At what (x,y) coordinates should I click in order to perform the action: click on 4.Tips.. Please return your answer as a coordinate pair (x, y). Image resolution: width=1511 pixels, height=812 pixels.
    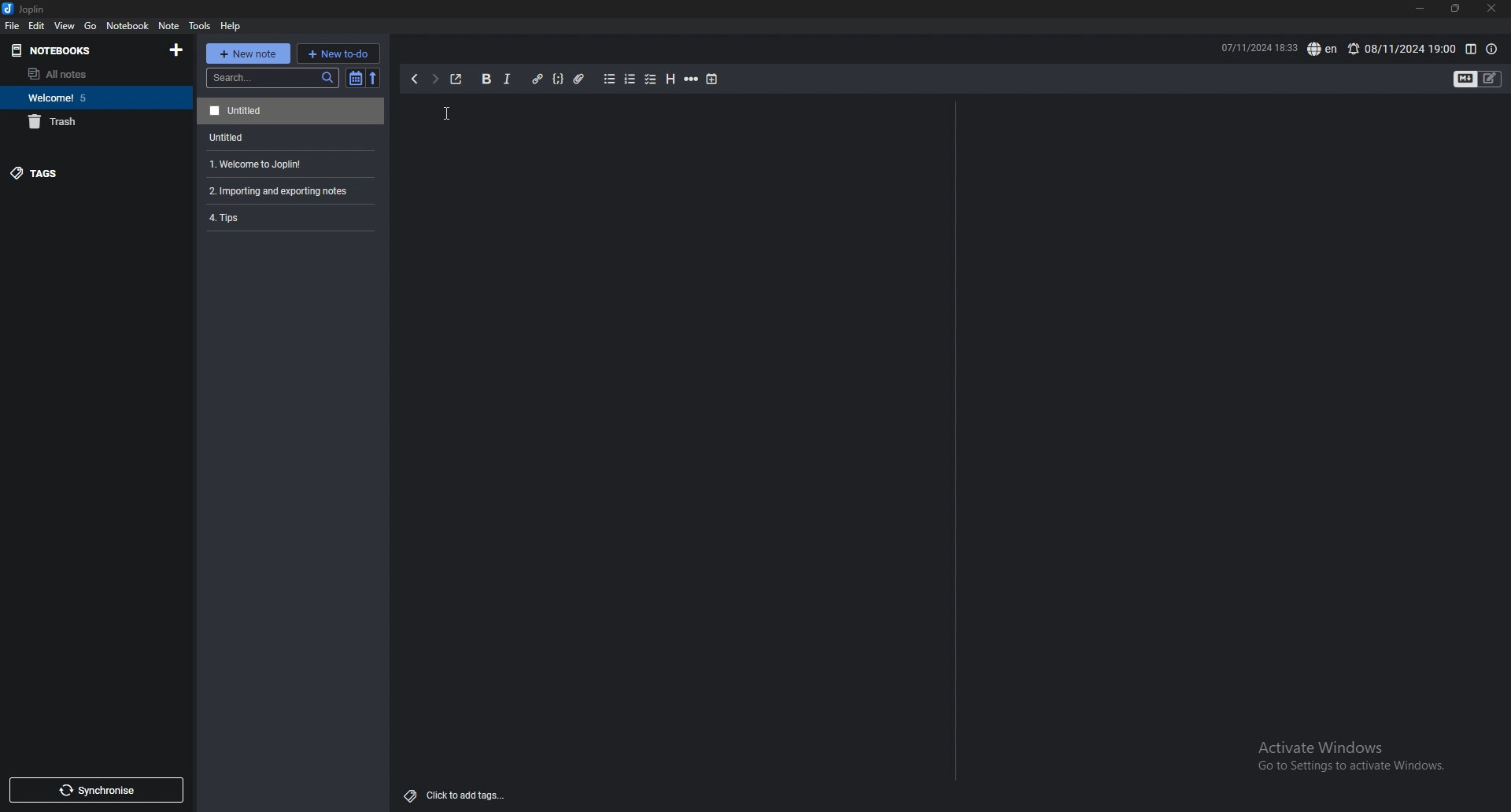
    Looking at the image, I should click on (289, 217).